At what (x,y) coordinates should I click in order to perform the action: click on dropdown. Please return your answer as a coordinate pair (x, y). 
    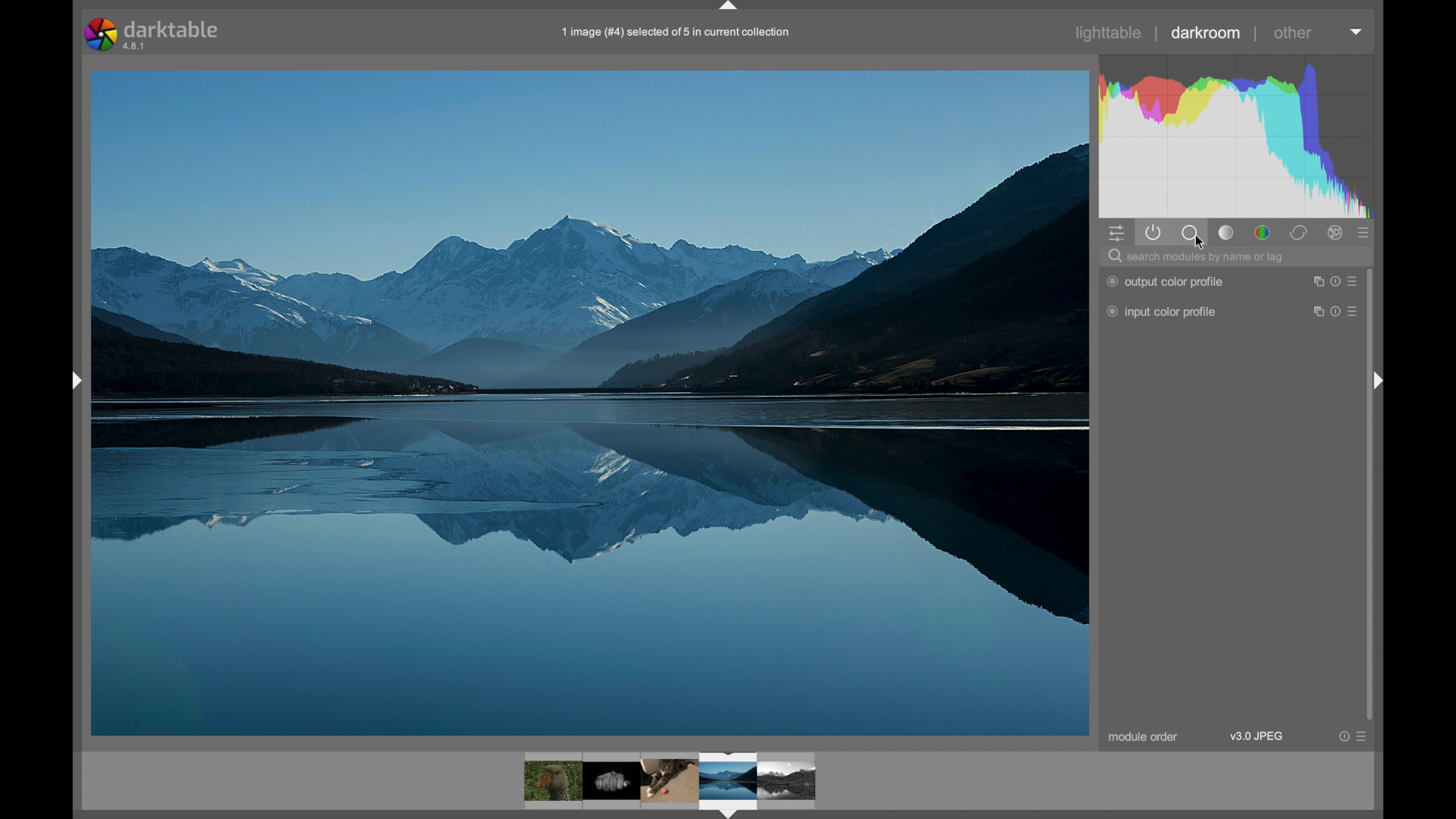
    Looking at the image, I should click on (1356, 31).